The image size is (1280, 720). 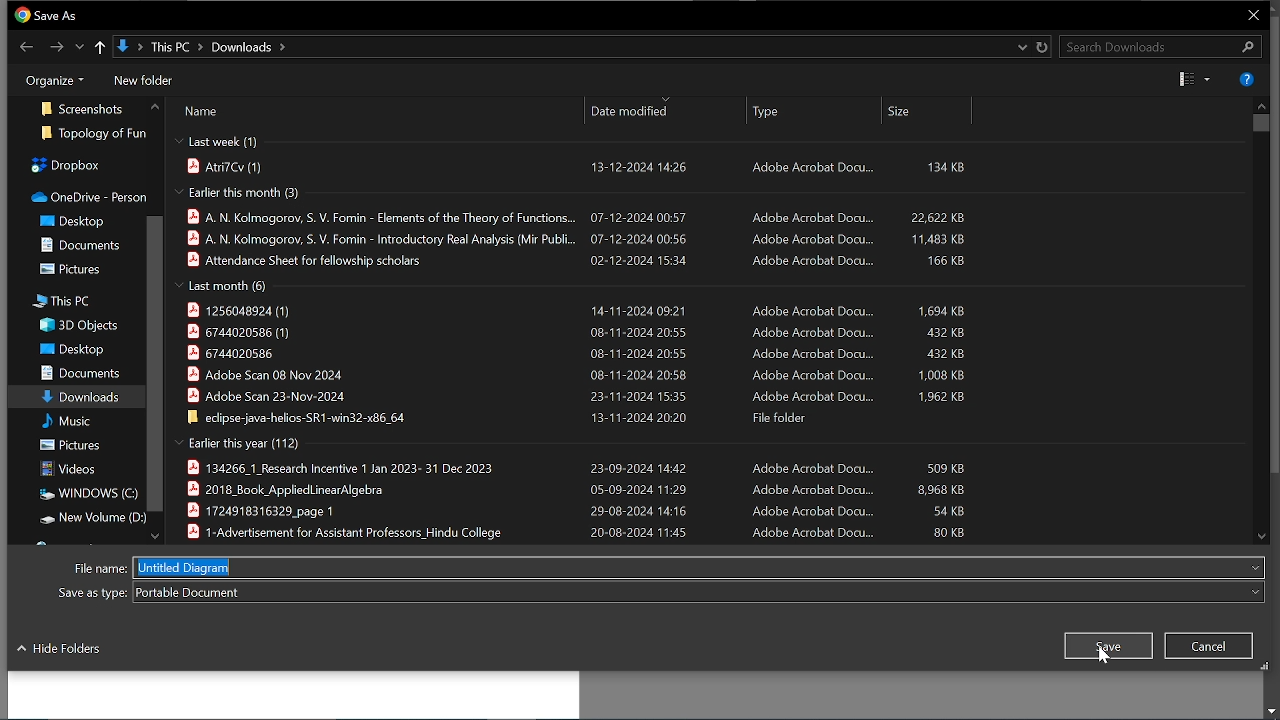 I want to click on windows(C), so click(x=87, y=495).